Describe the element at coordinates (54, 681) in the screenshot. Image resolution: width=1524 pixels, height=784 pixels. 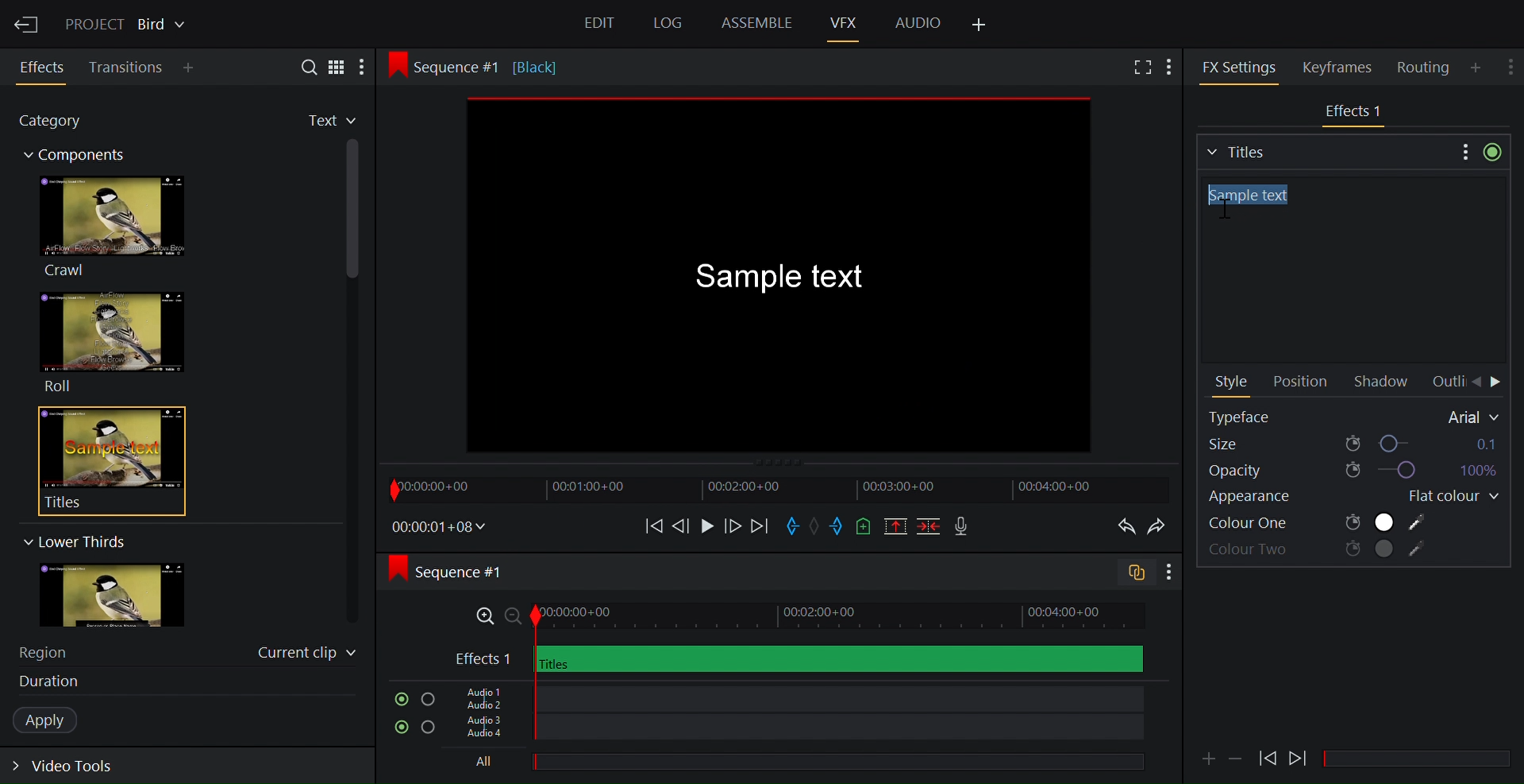
I see `` at that location.